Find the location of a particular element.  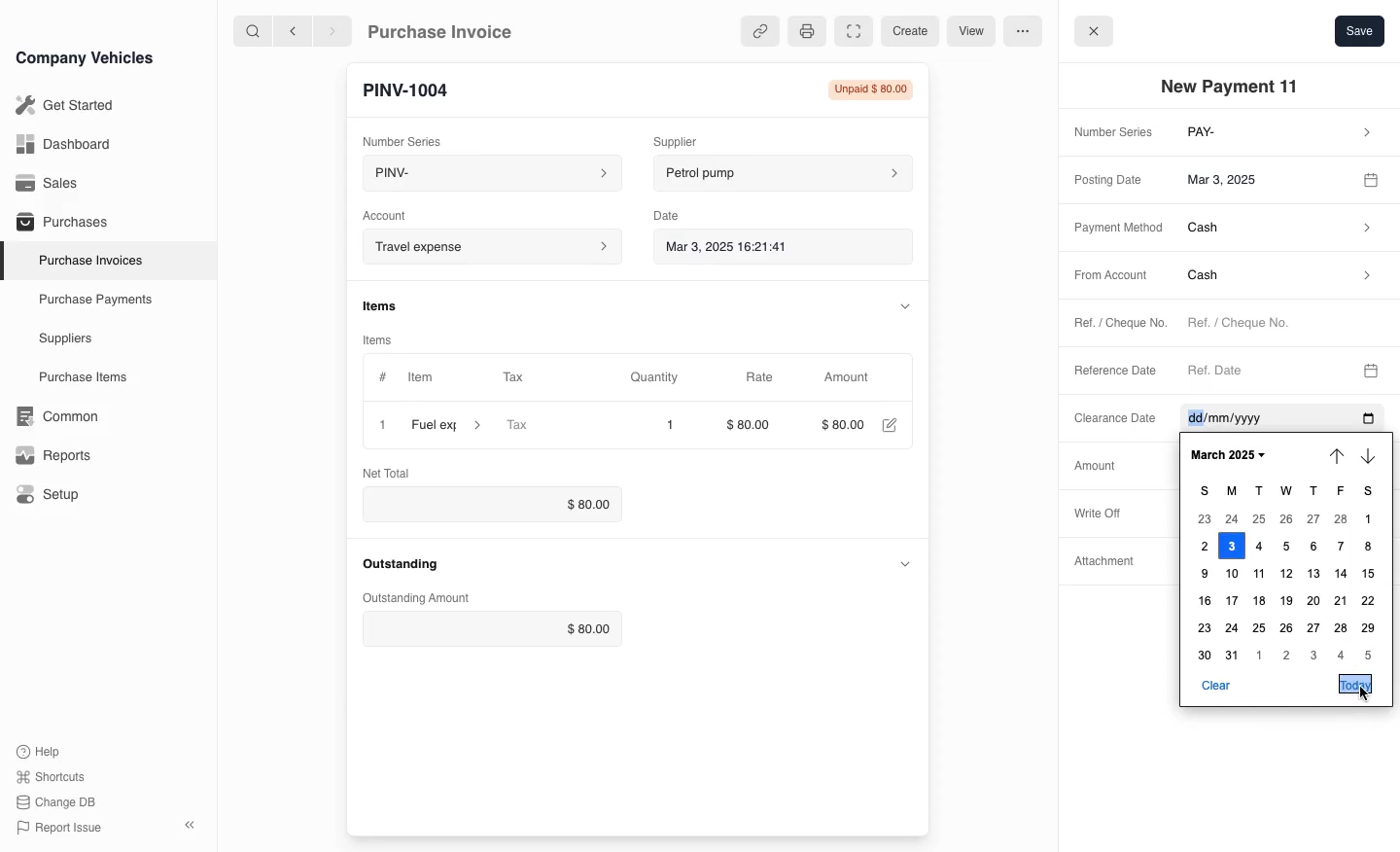

days is located at coordinates (1292, 491).